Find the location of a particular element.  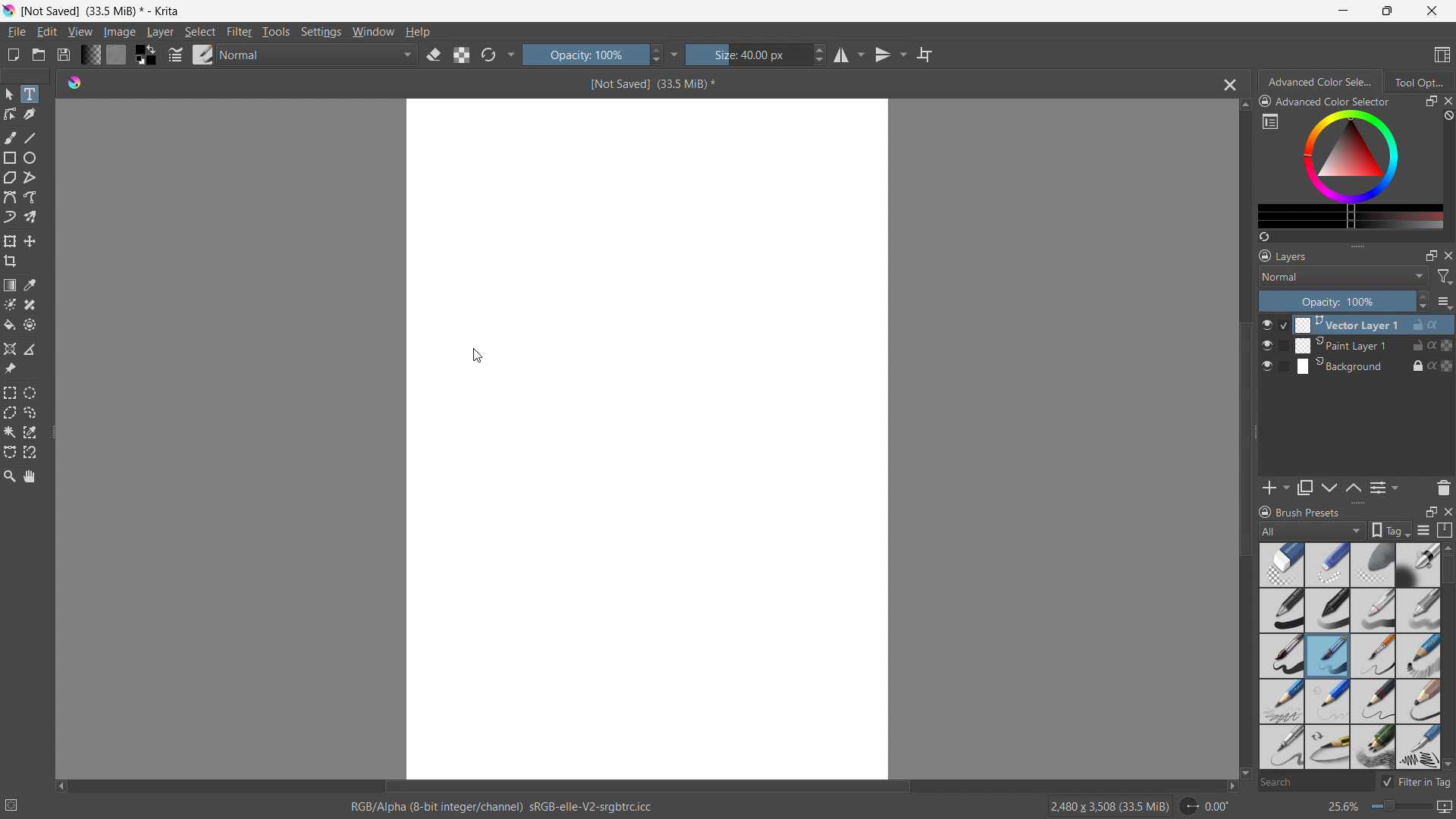

small pin brush is located at coordinates (1372, 657).